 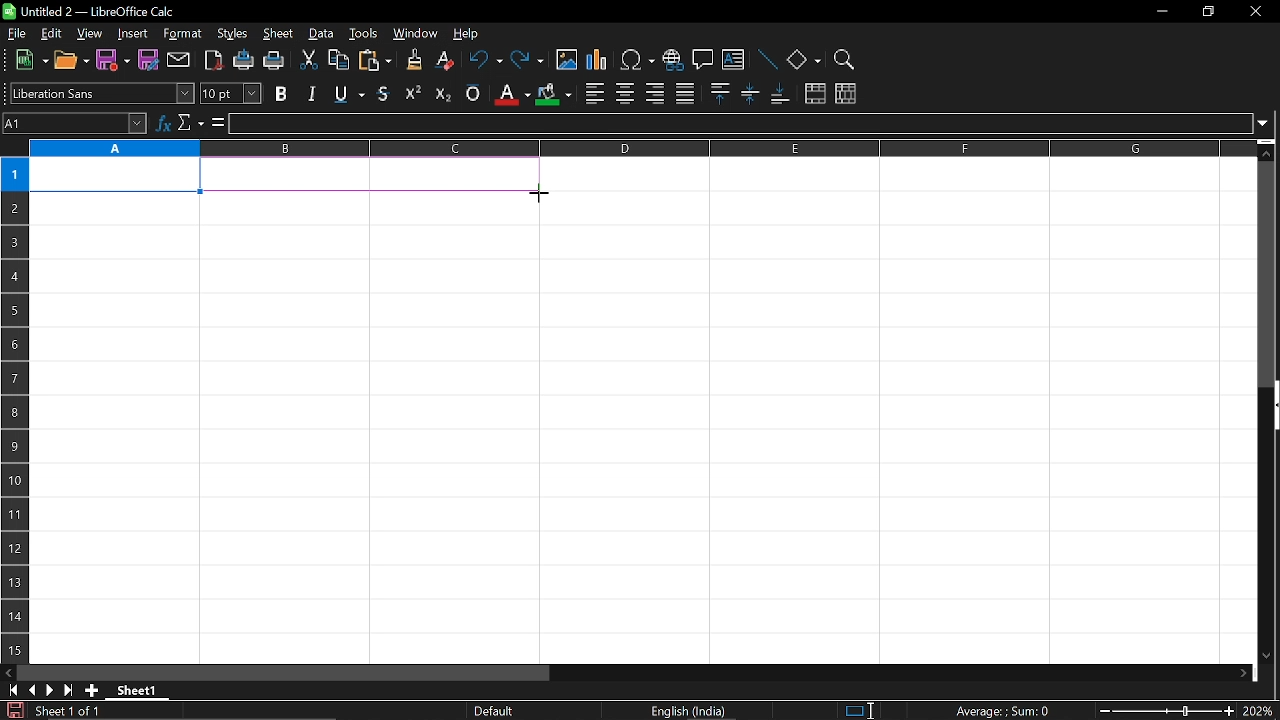 What do you see at coordinates (278, 34) in the screenshot?
I see `sheet` at bounding box center [278, 34].